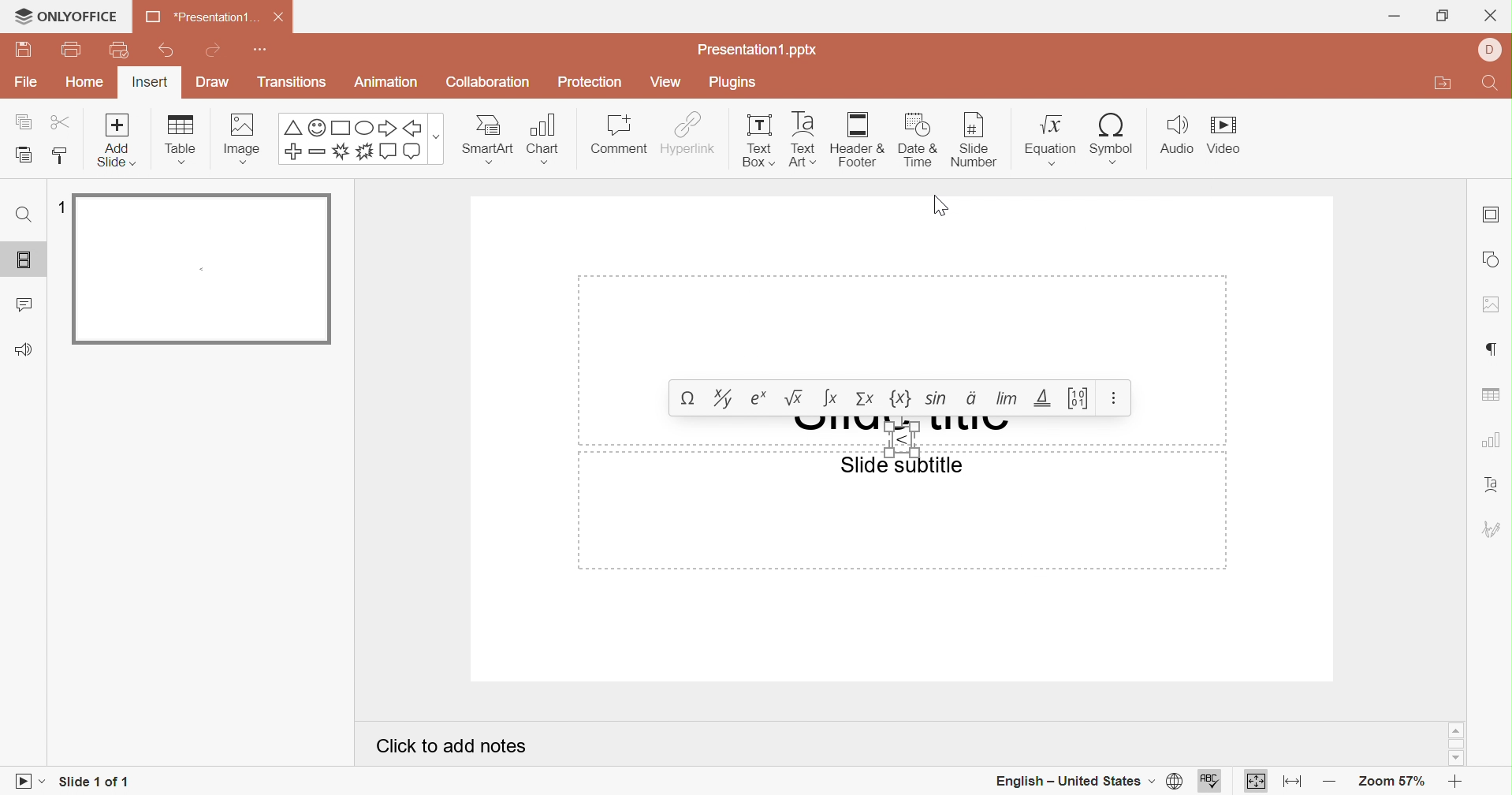 The width and height of the screenshot is (1512, 795). What do you see at coordinates (1456, 759) in the screenshot?
I see `Scroll Down` at bounding box center [1456, 759].